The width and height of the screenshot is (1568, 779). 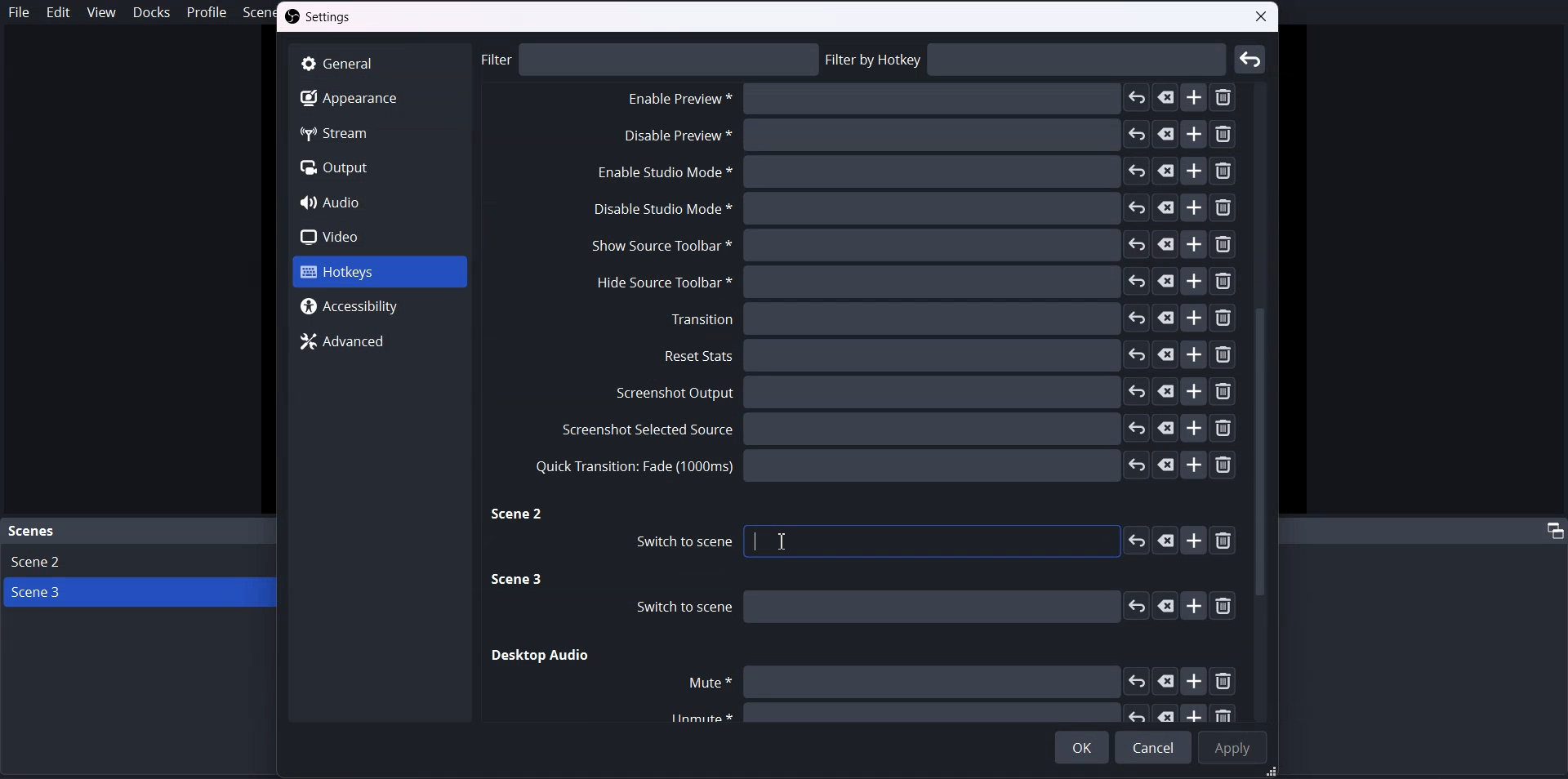 I want to click on Screenshot output, so click(x=927, y=393).